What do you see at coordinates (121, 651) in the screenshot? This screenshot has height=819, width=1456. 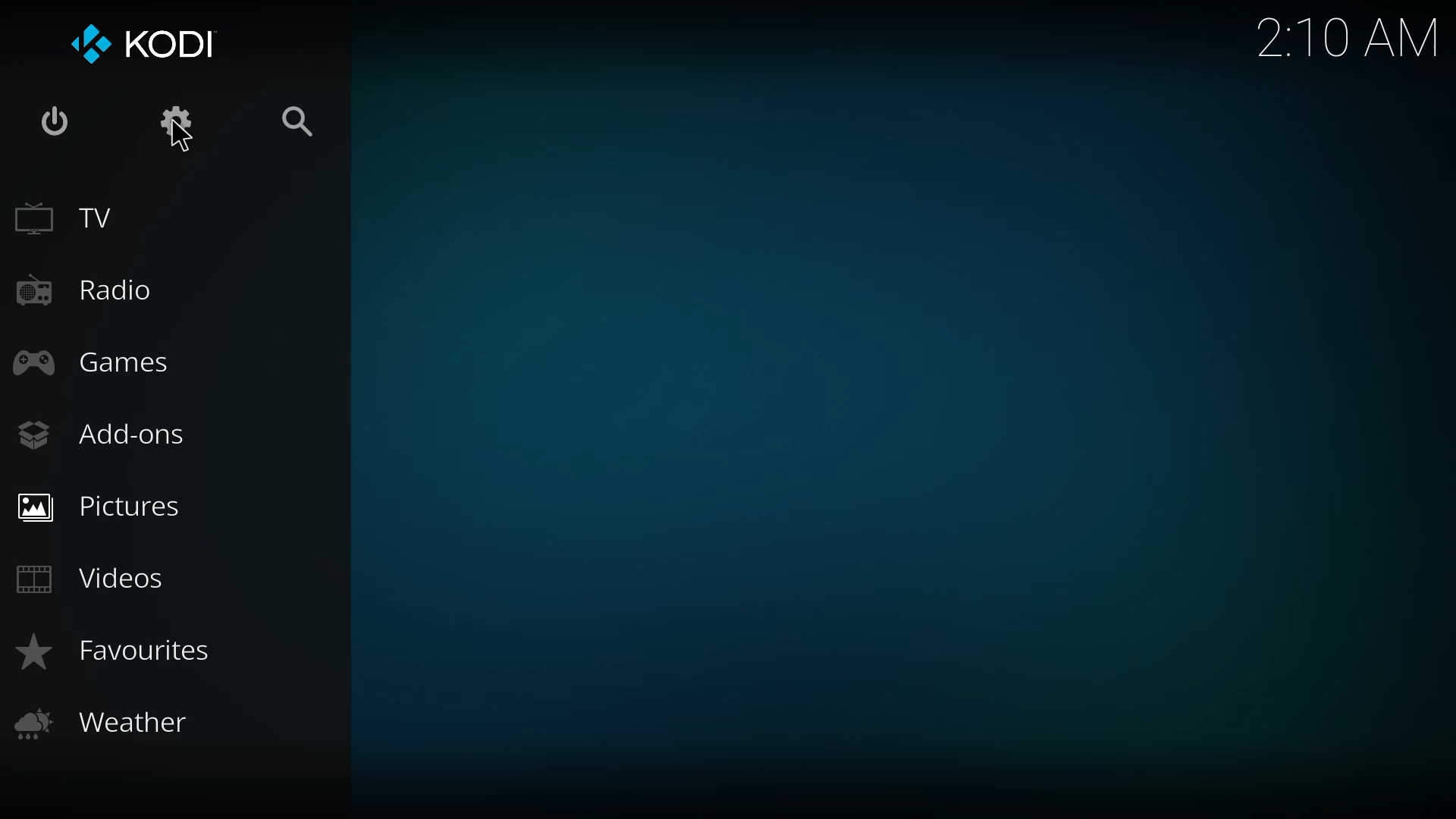 I see `favorites` at bounding box center [121, 651].